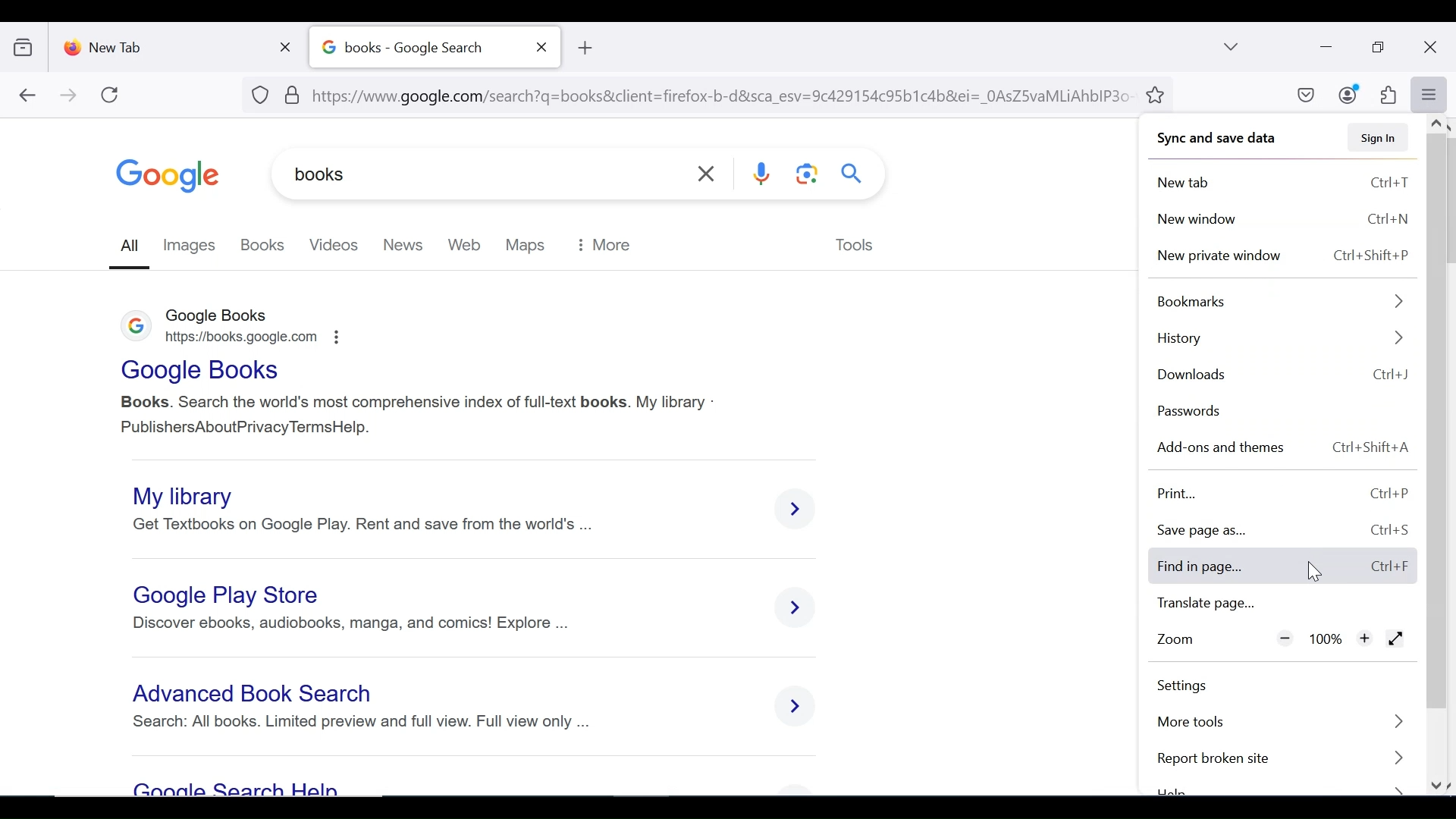  Describe the element at coordinates (1192, 686) in the screenshot. I see `settings` at that location.